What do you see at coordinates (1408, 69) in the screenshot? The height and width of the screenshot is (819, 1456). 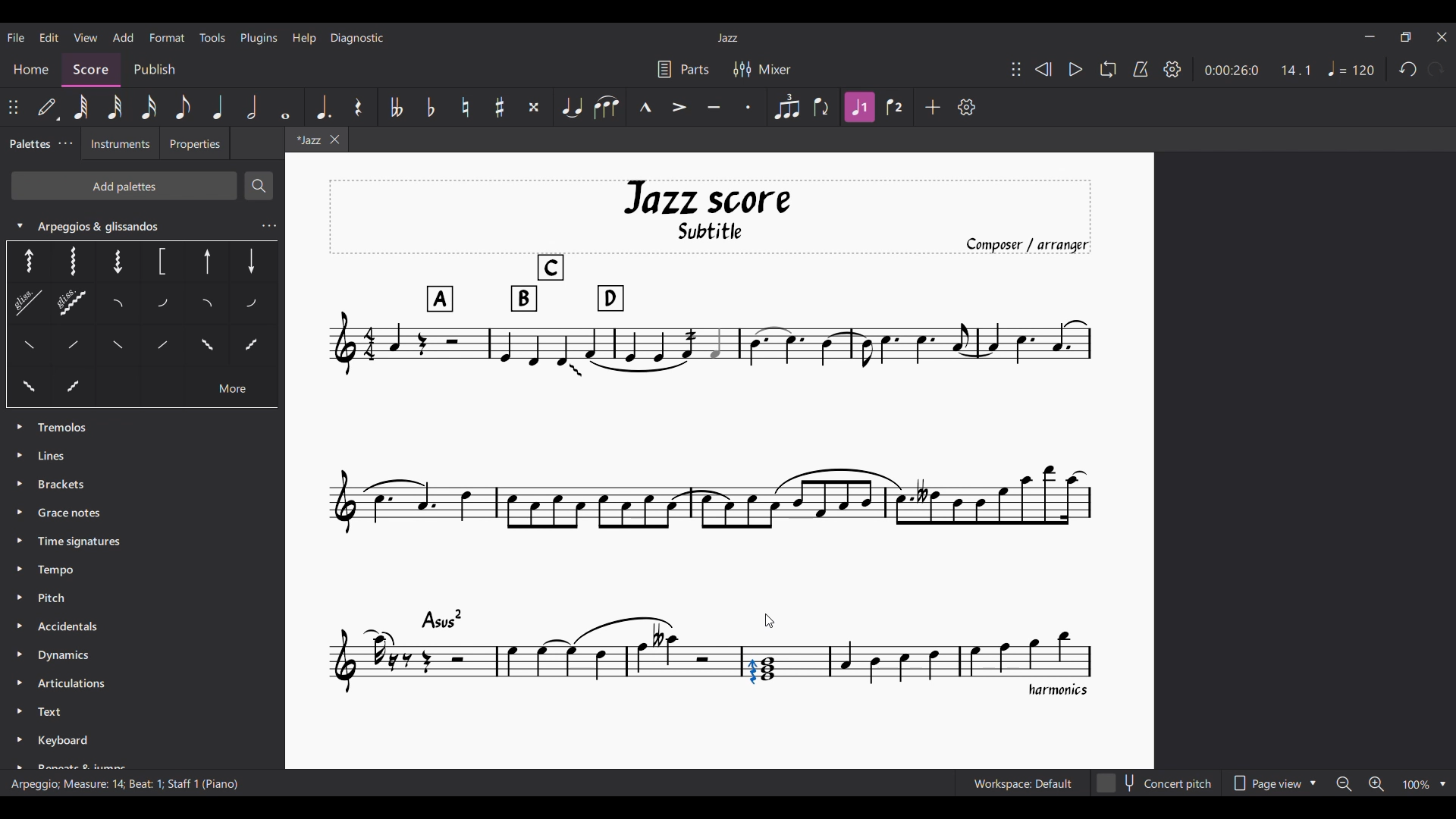 I see `Undo` at bounding box center [1408, 69].